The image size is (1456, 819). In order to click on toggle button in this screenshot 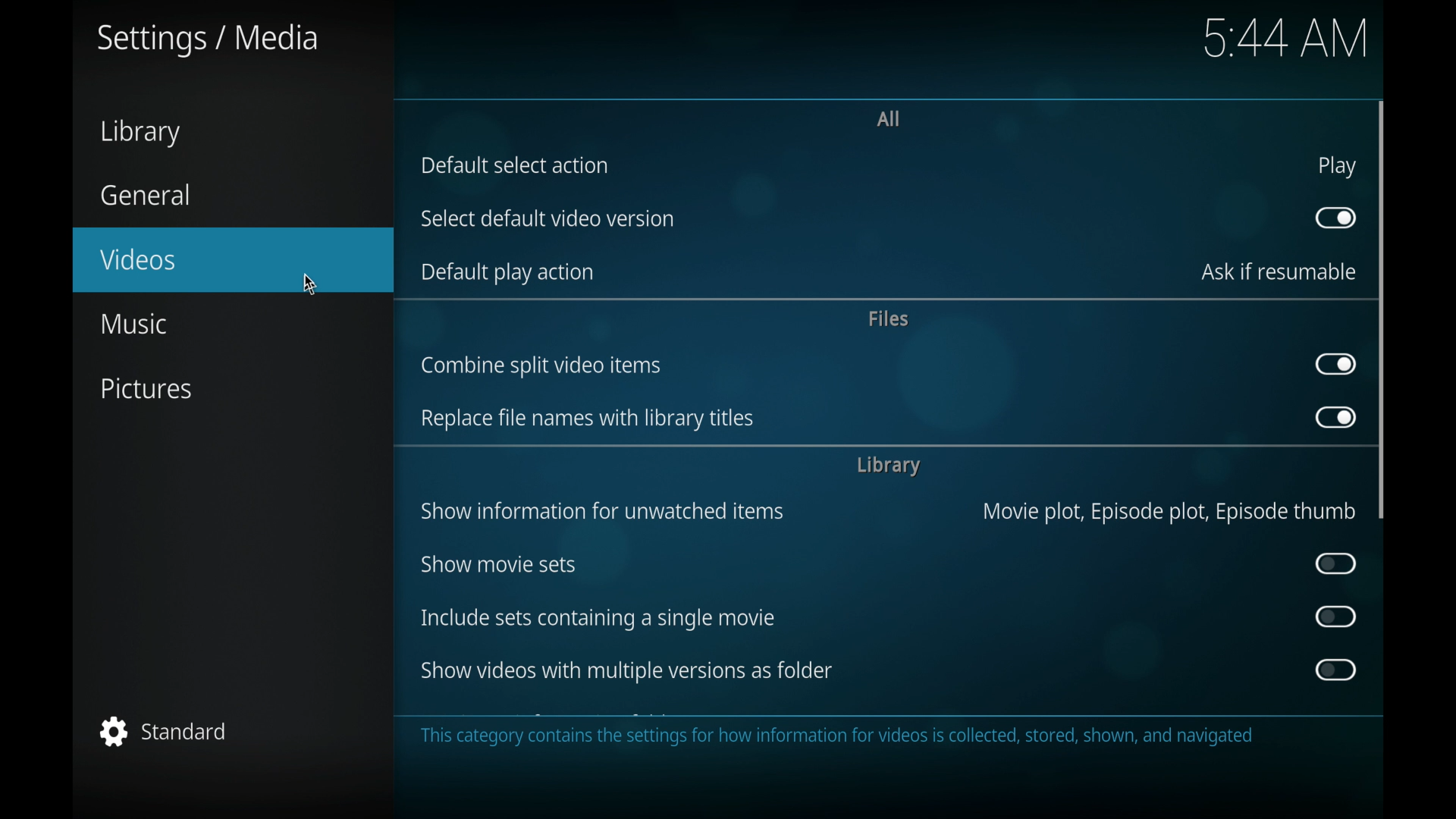, I will do `click(1335, 364)`.